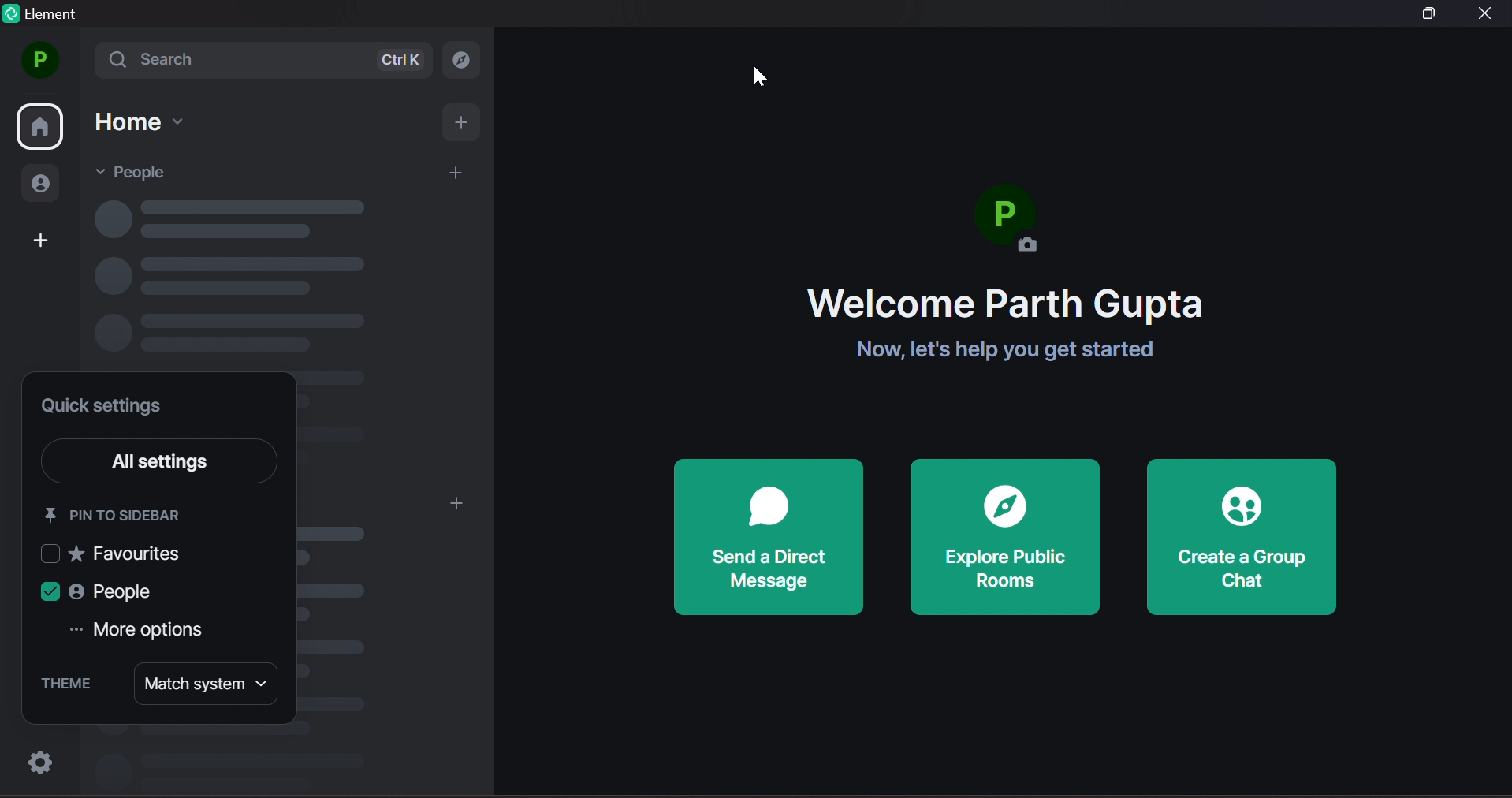 The height and width of the screenshot is (798, 1512). I want to click on home, so click(42, 129).